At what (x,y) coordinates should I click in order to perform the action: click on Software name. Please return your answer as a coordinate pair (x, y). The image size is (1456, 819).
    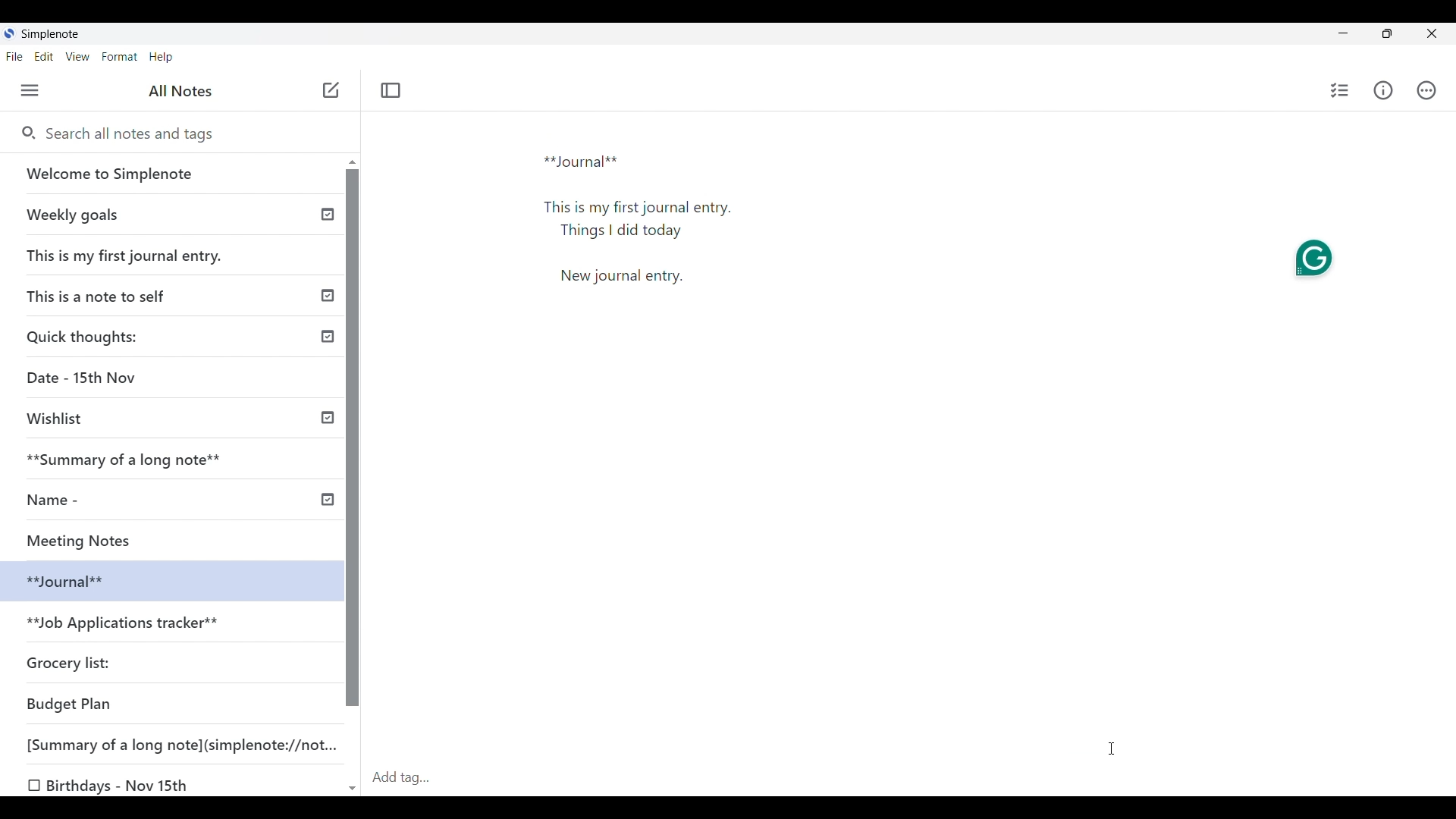
    Looking at the image, I should click on (52, 34).